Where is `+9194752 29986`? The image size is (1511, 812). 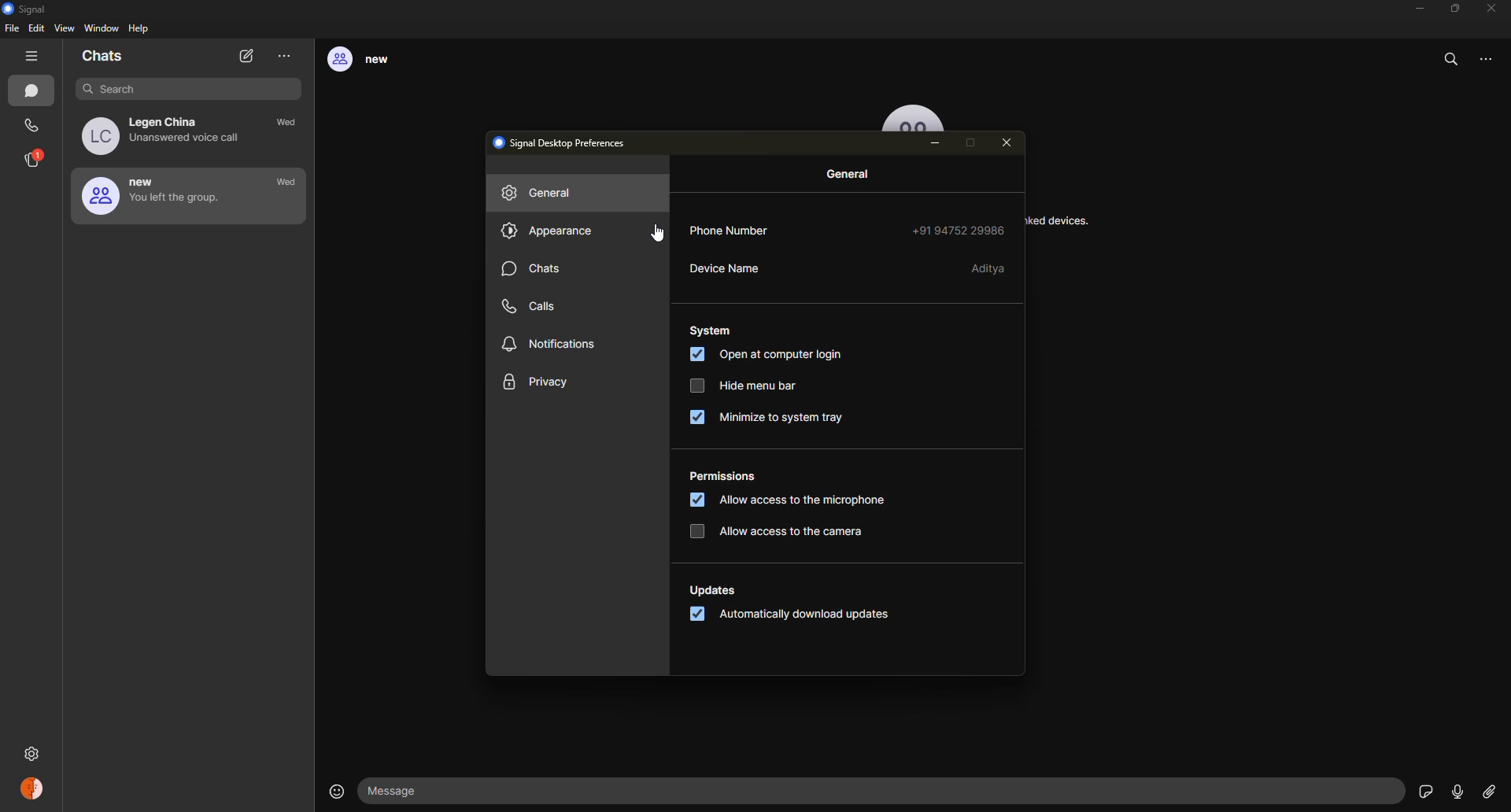 +9194752 29986 is located at coordinates (958, 228).